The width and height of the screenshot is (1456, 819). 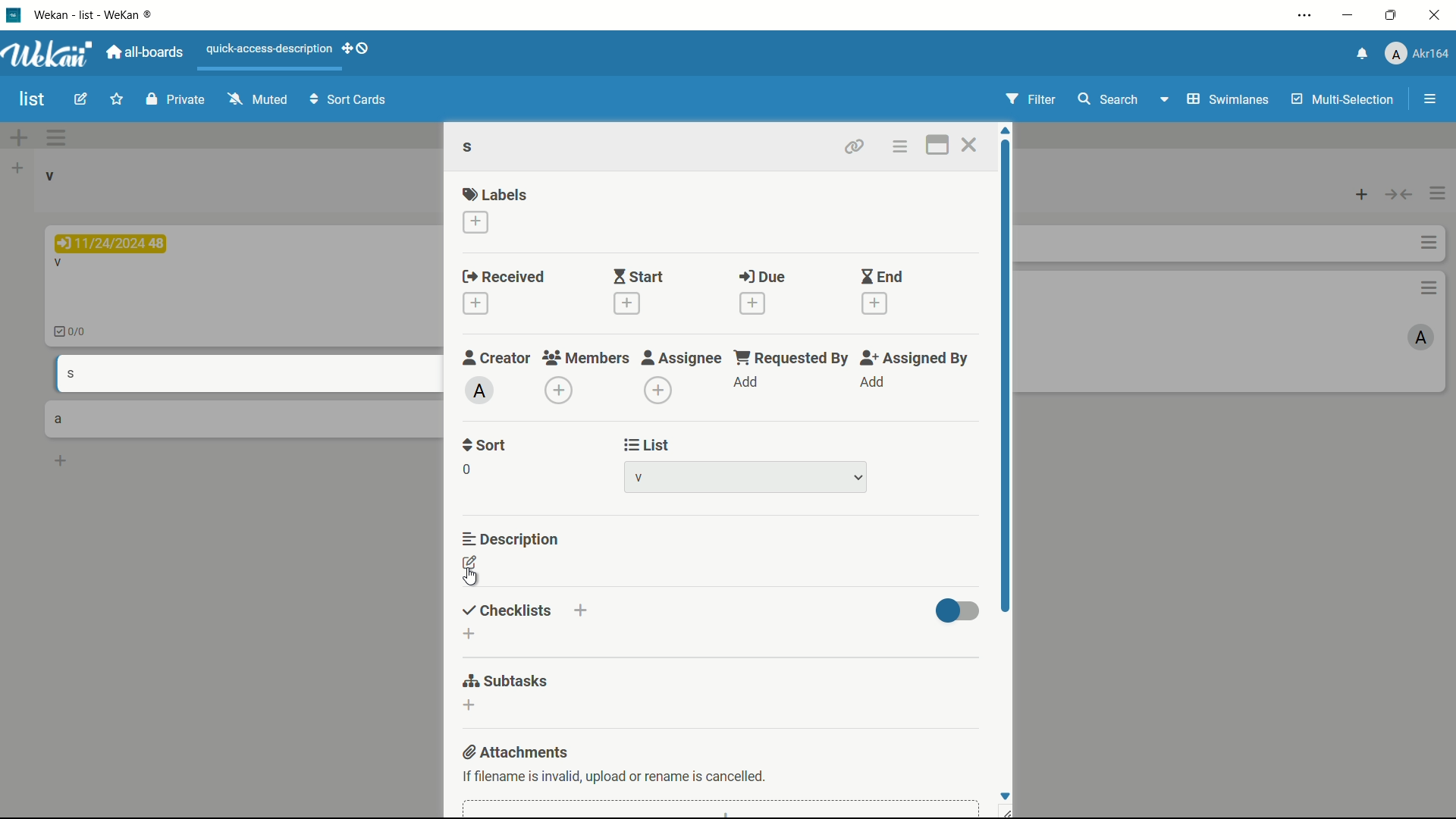 What do you see at coordinates (1005, 374) in the screenshot?
I see `scroll bar` at bounding box center [1005, 374].